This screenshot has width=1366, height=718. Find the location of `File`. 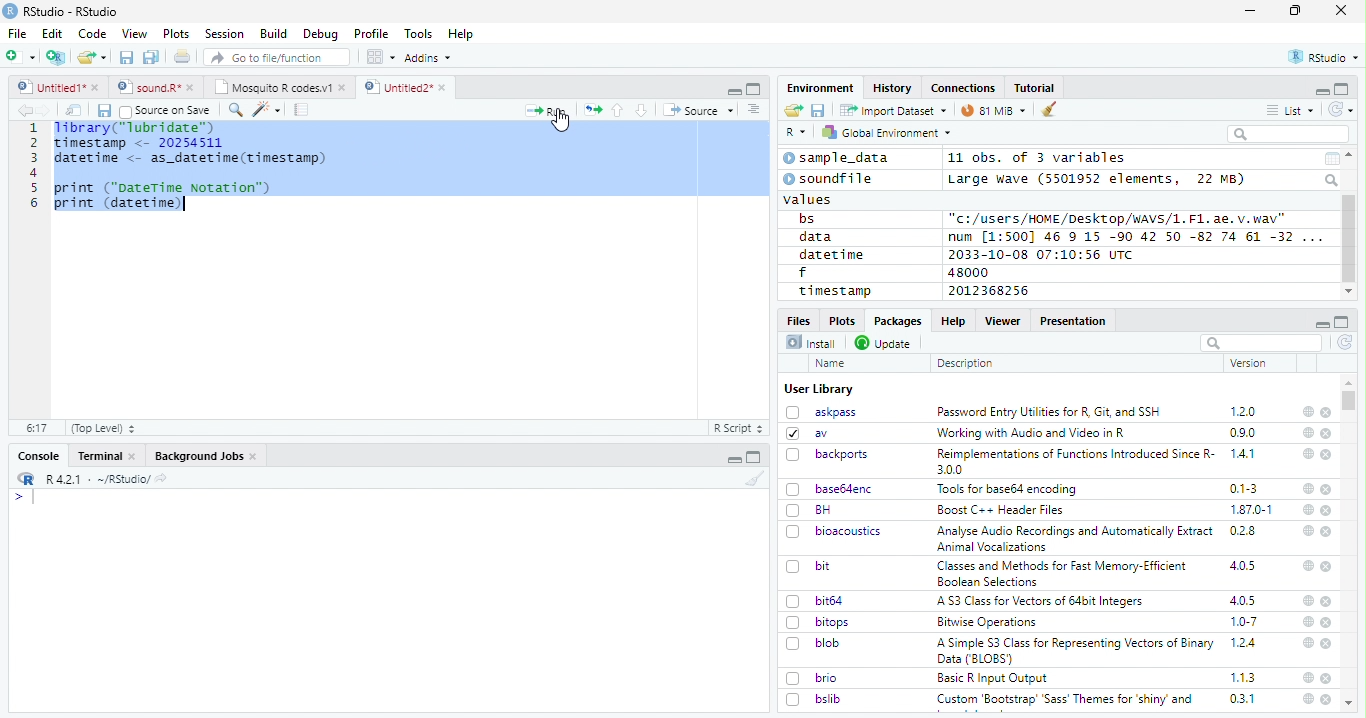

File is located at coordinates (16, 33).